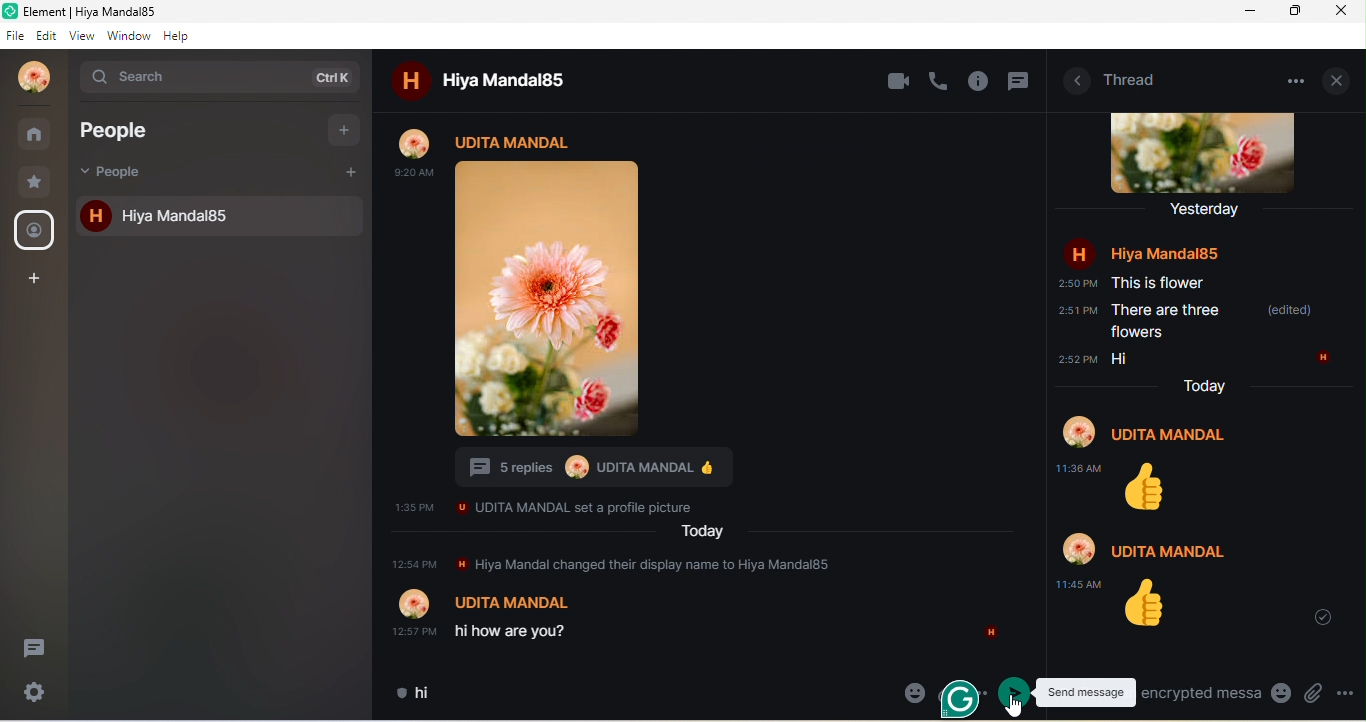 The width and height of the screenshot is (1366, 722). I want to click on close, so click(1339, 78).